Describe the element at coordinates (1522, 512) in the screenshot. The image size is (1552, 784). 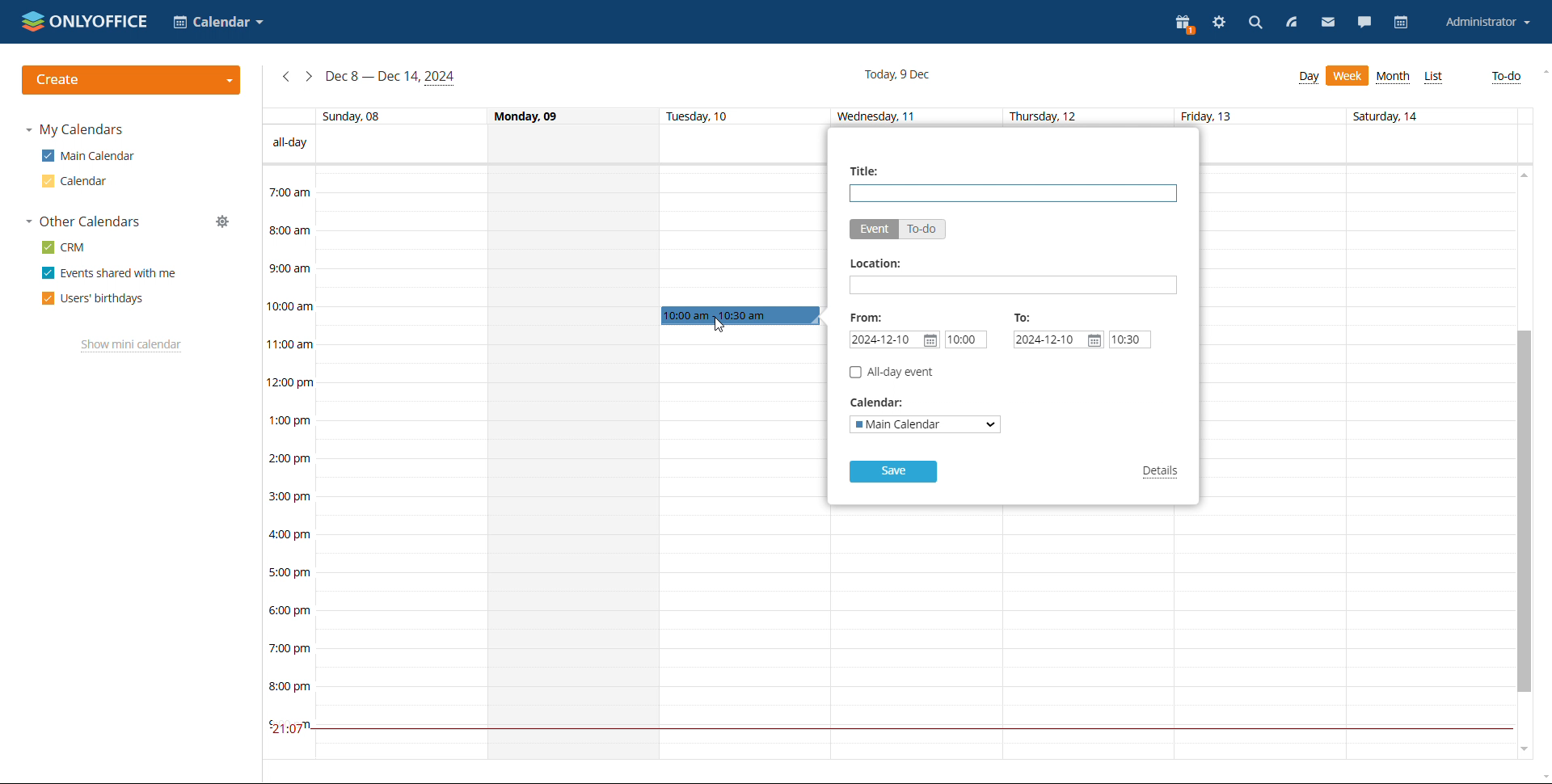
I see `scrollbar` at that location.